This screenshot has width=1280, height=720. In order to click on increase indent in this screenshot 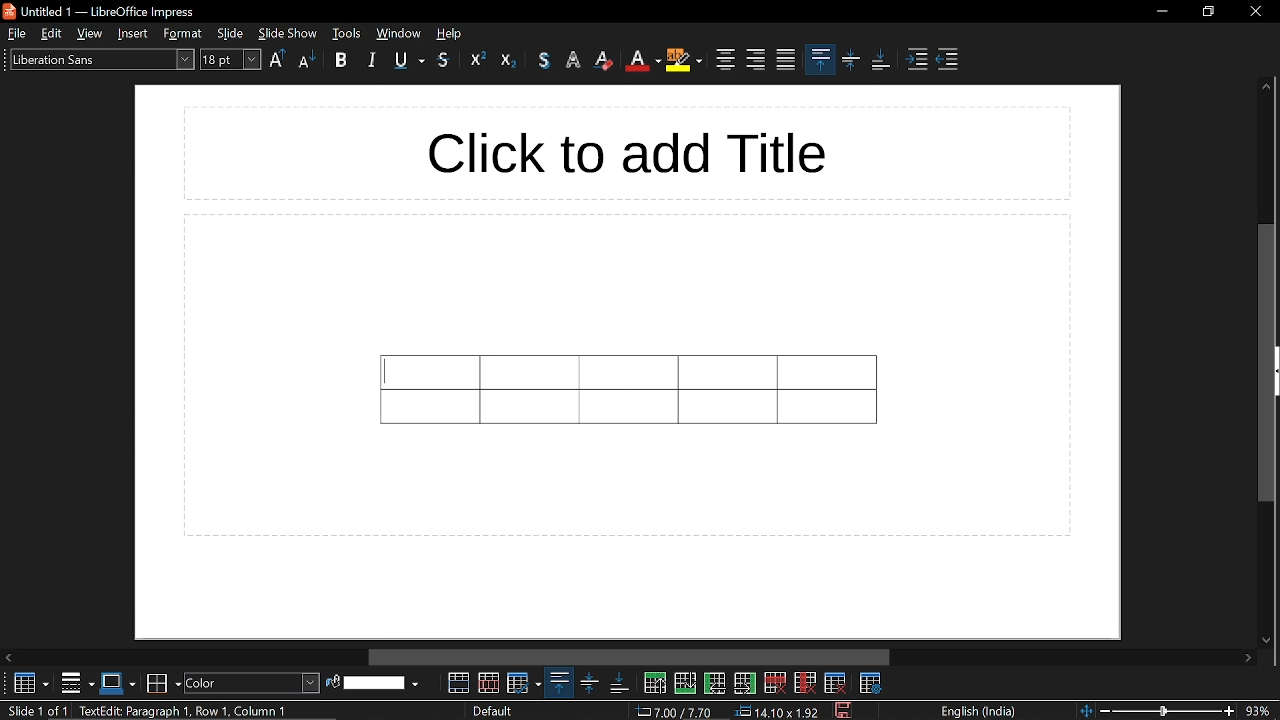, I will do `click(919, 59)`.